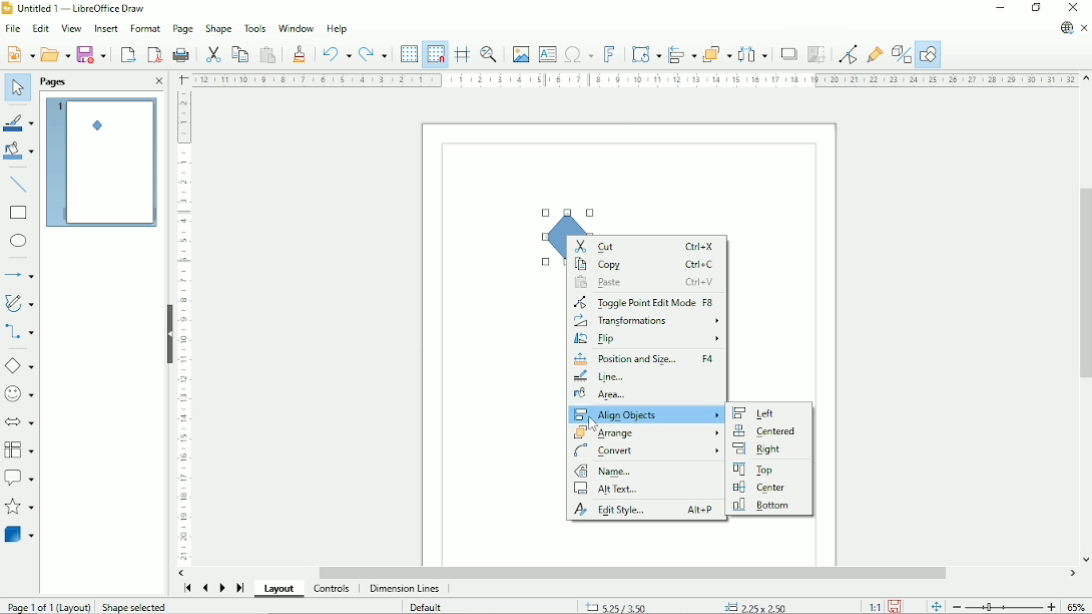 This screenshot has height=614, width=1092. What do you see at coordinates (761, 450) in the screenshot?
I see `Right` at bounding box center [761, 450].